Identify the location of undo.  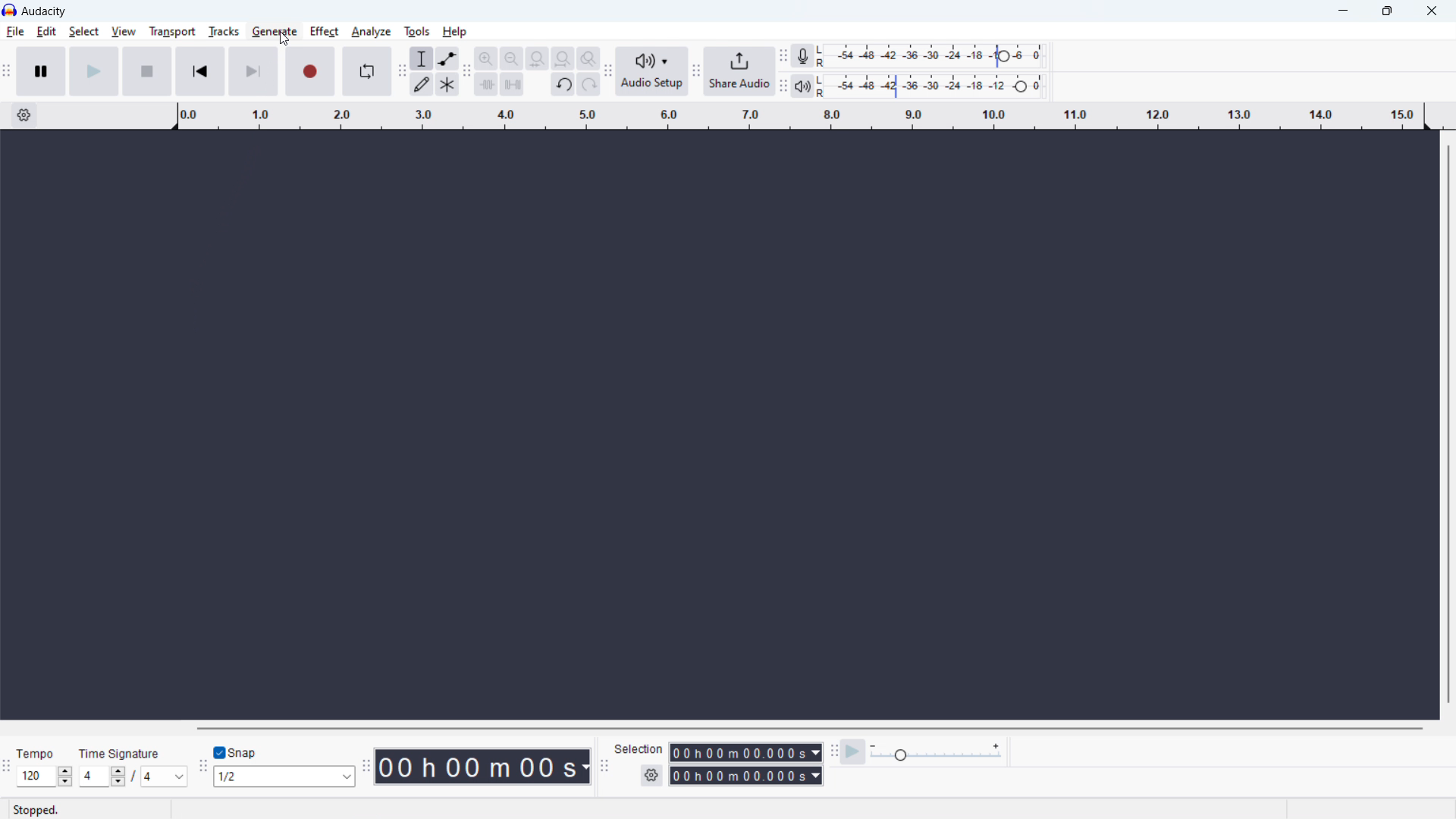
(563, 84).